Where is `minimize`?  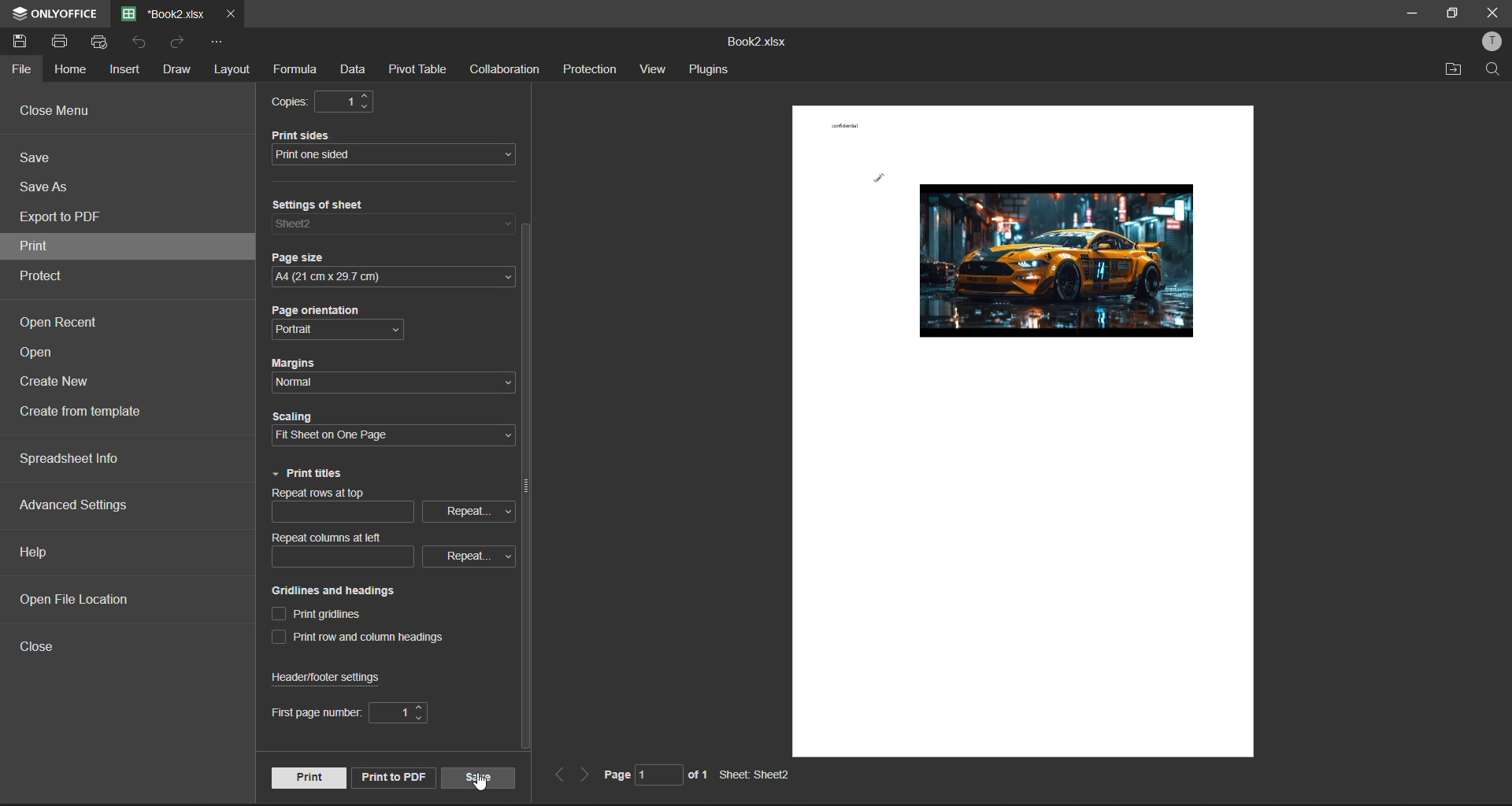
minimize is located at coordinates (1409, 12).